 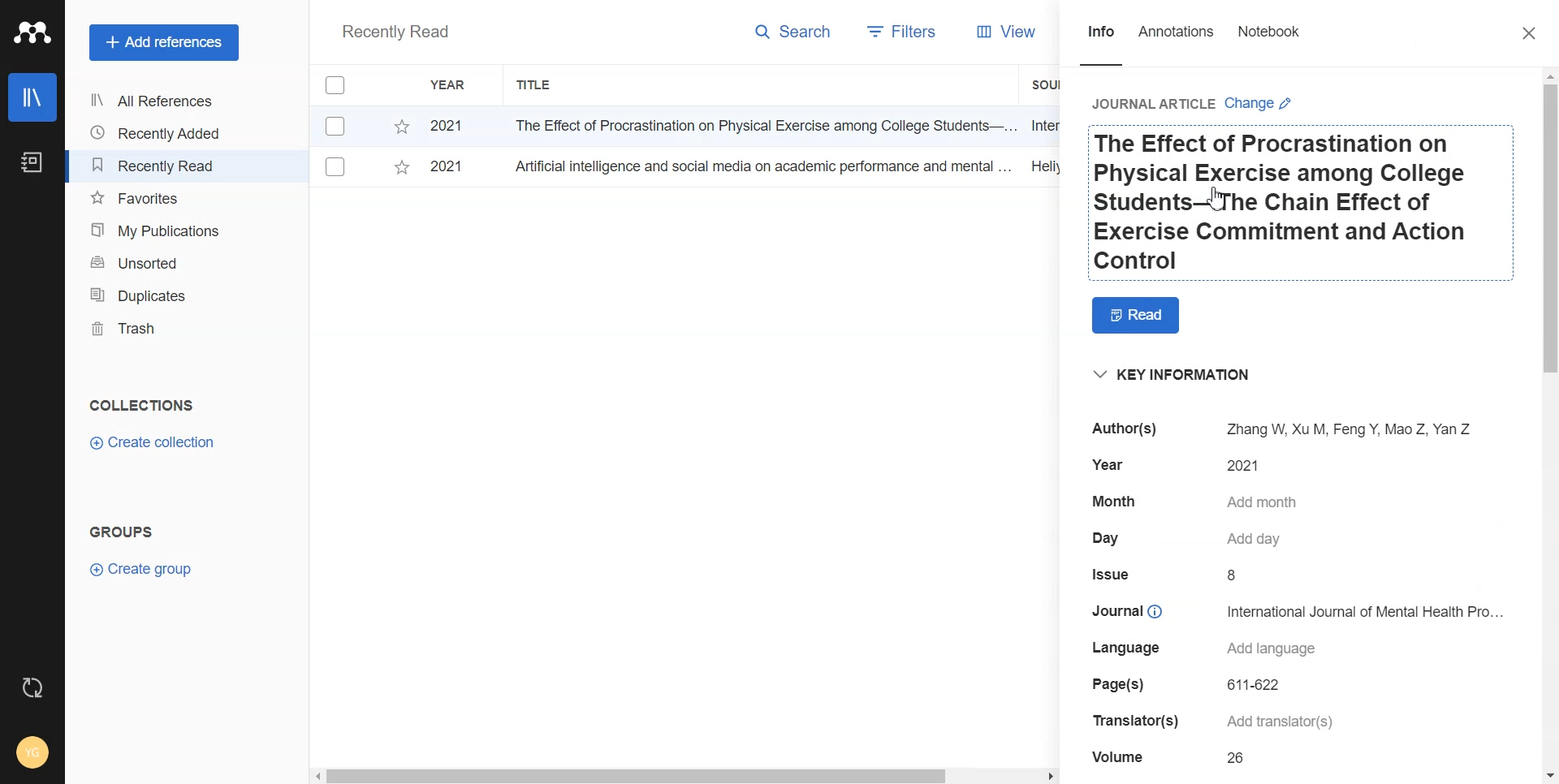 I want to click on Starred, so click(x=401, y=170).